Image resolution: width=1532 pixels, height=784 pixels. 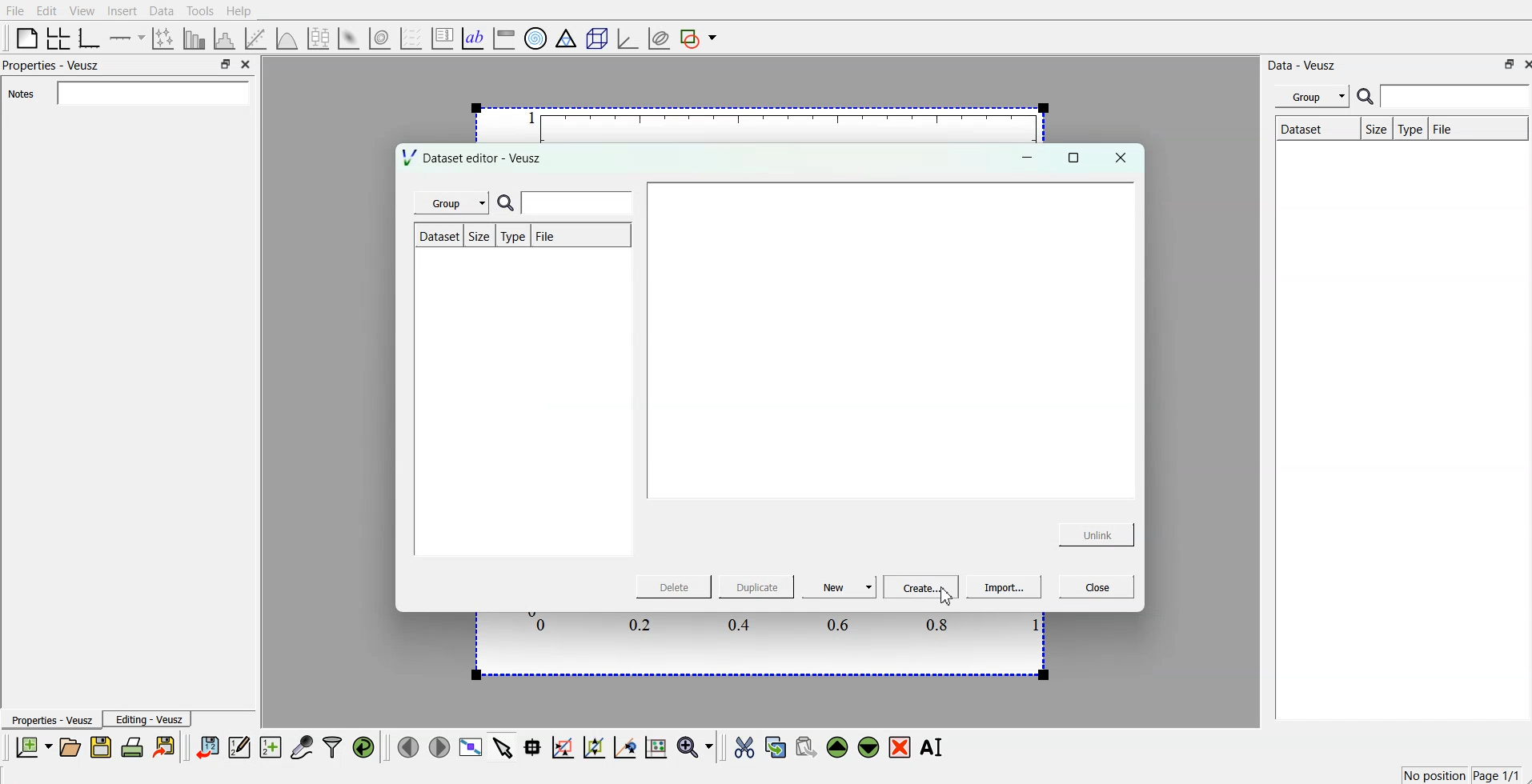 I want to click on edit and enter datapoints, so click(x=240, y=748).